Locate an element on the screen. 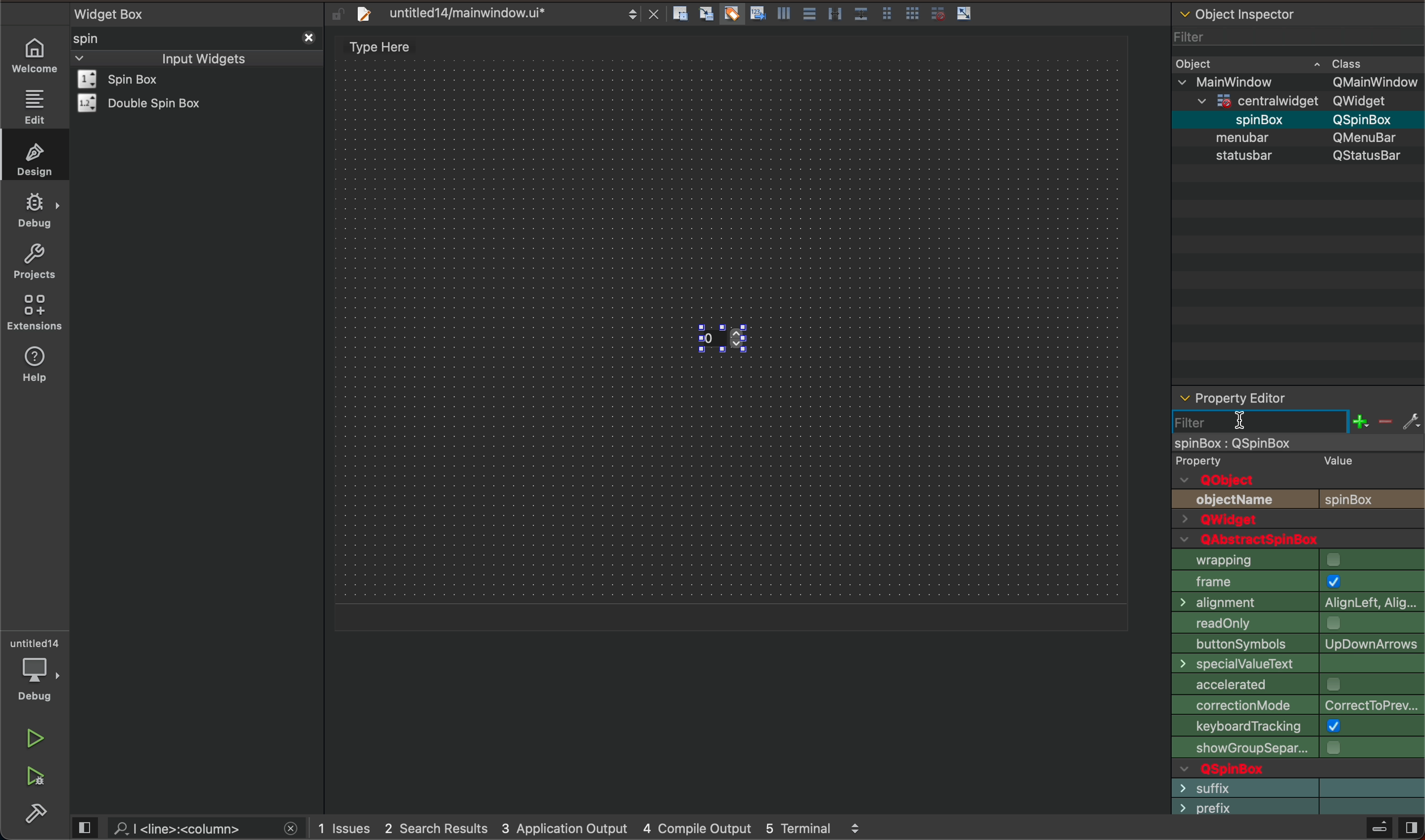 Image resolution: width=1425 pixels, height=840 pixels. object inspector is located at coordinates (1298, 12).